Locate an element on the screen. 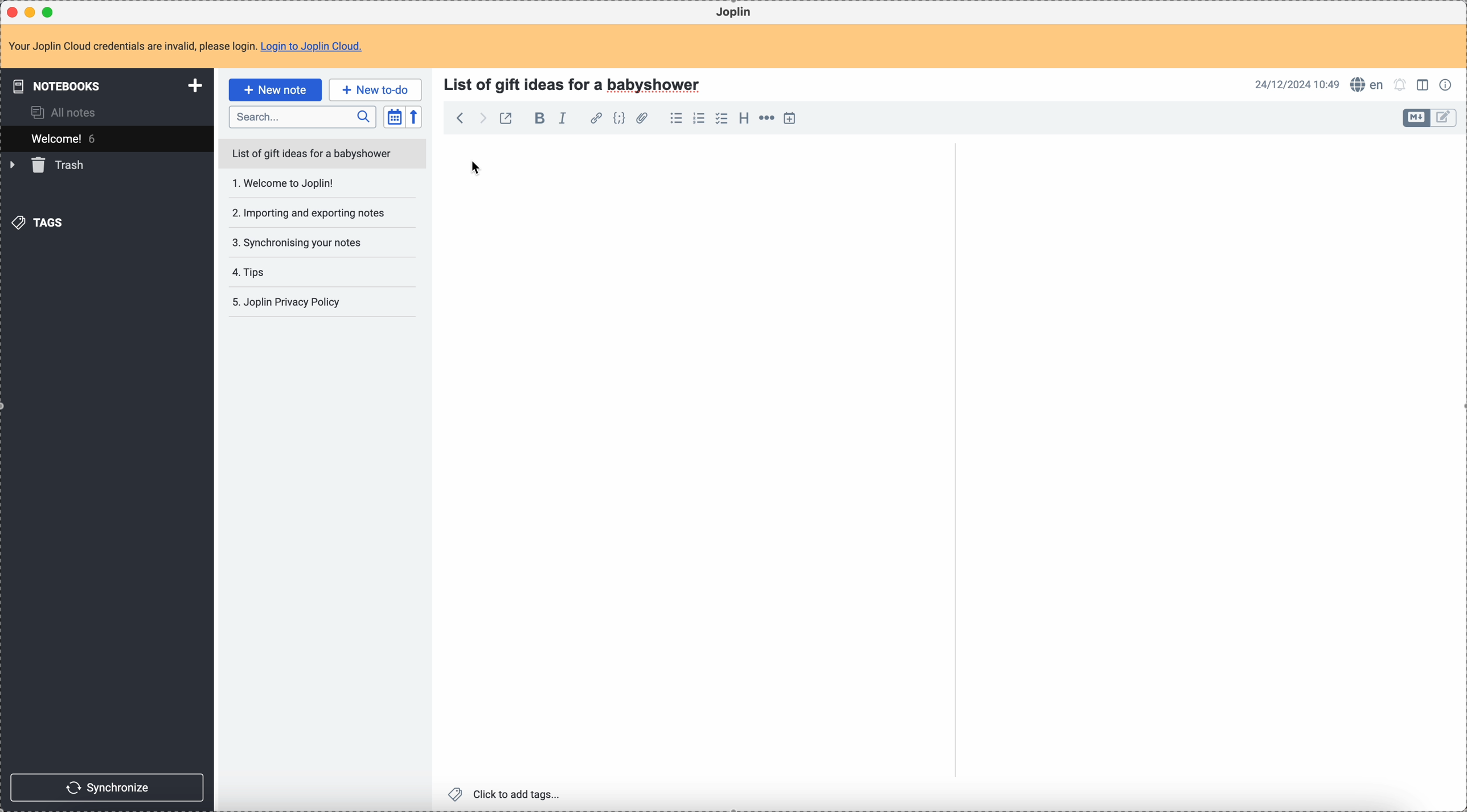 The width and height of the screenshot is (1467, 812). click on new note is located at coordinates (274, 90).